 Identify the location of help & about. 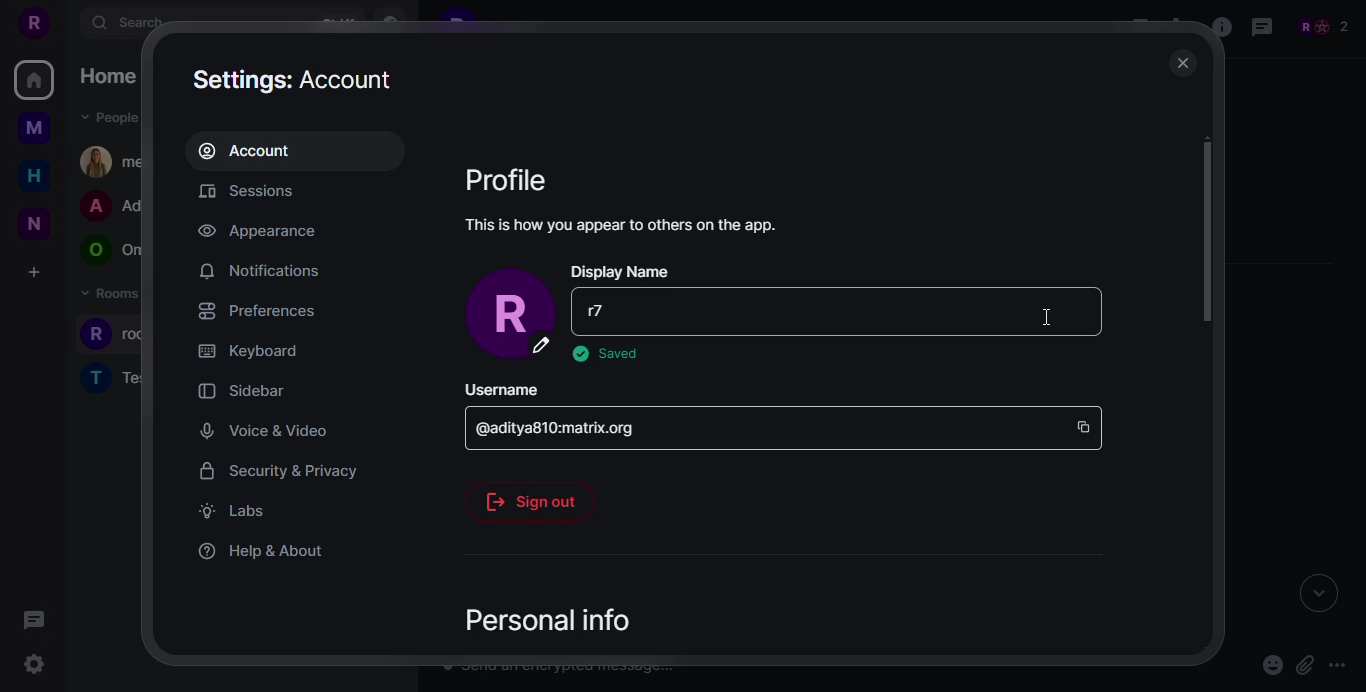
(260, 550).